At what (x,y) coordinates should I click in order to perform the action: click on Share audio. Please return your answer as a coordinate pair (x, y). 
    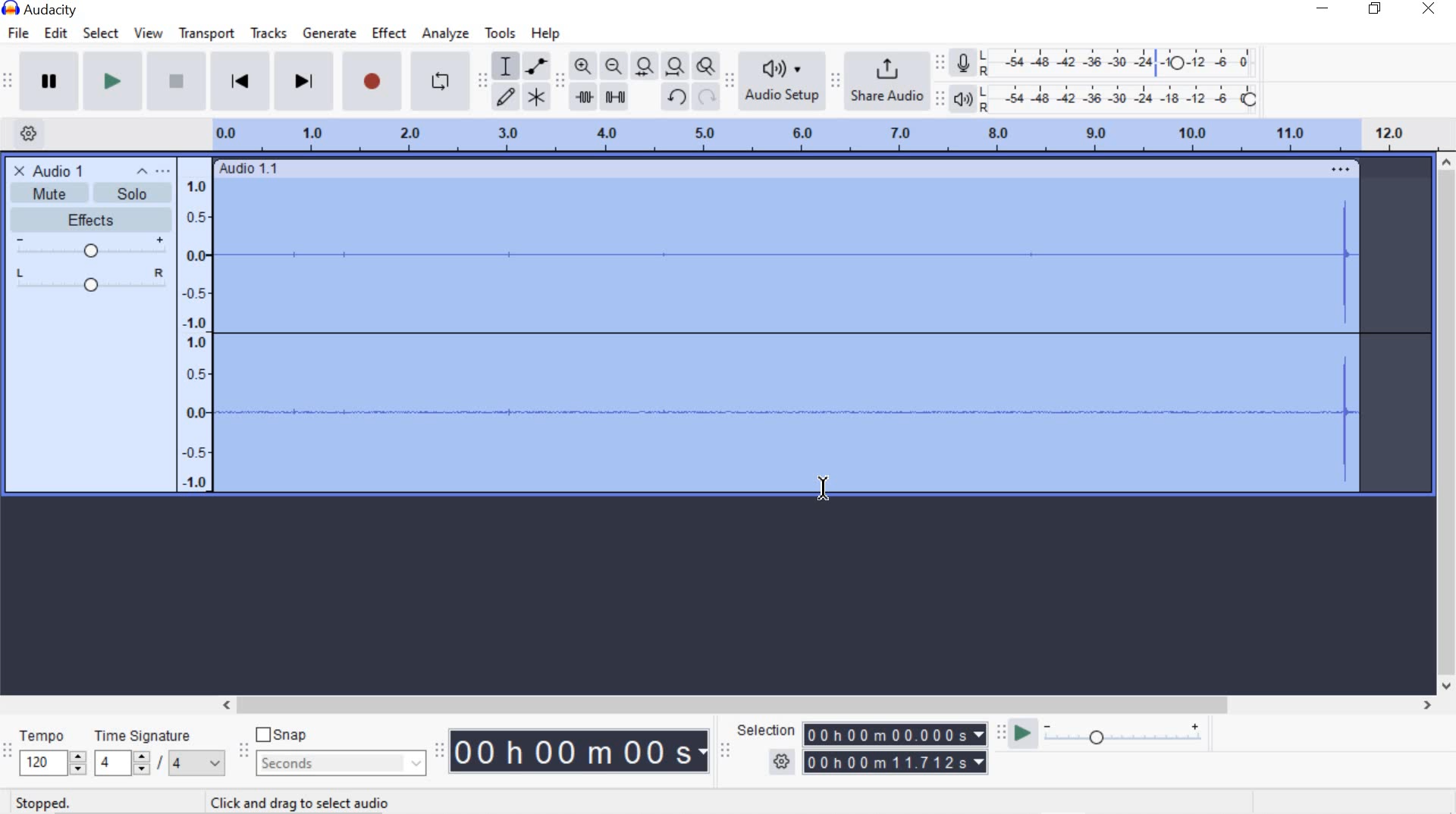
    Looking at the image, I should click on (889, 82).